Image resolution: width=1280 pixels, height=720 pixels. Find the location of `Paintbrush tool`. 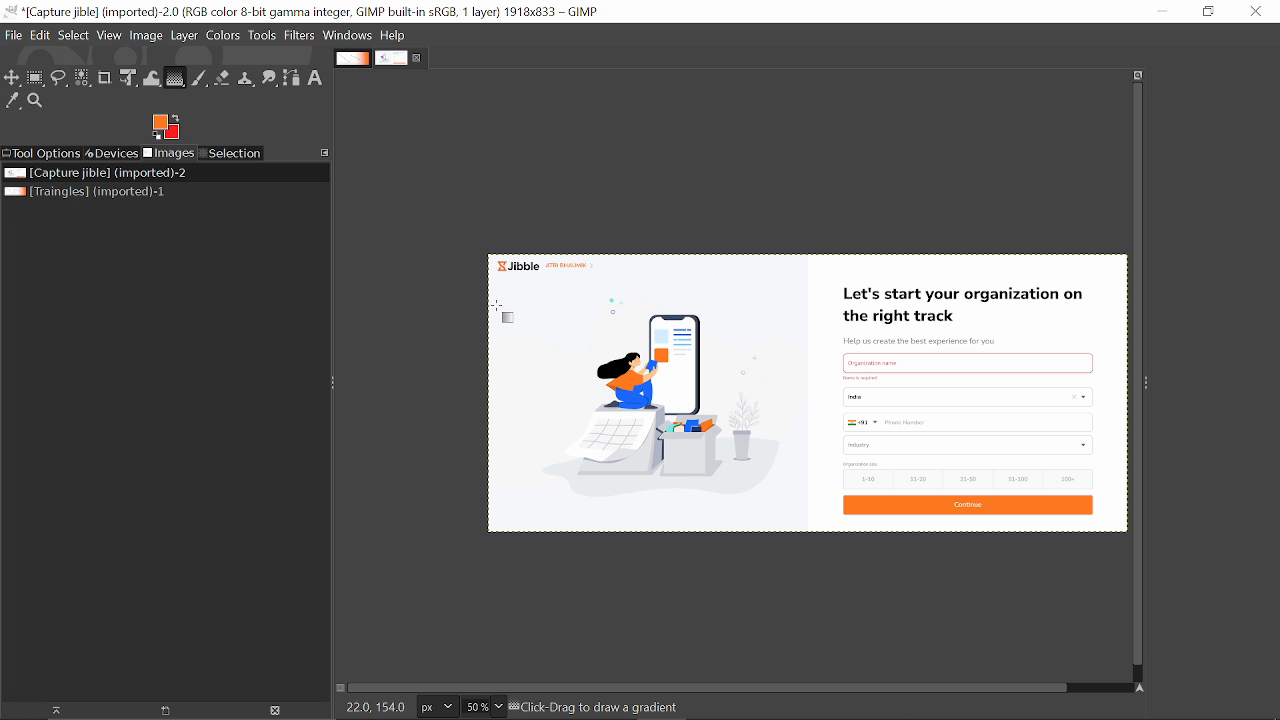

Paintbrush tool is located at coordinates (201, 78).